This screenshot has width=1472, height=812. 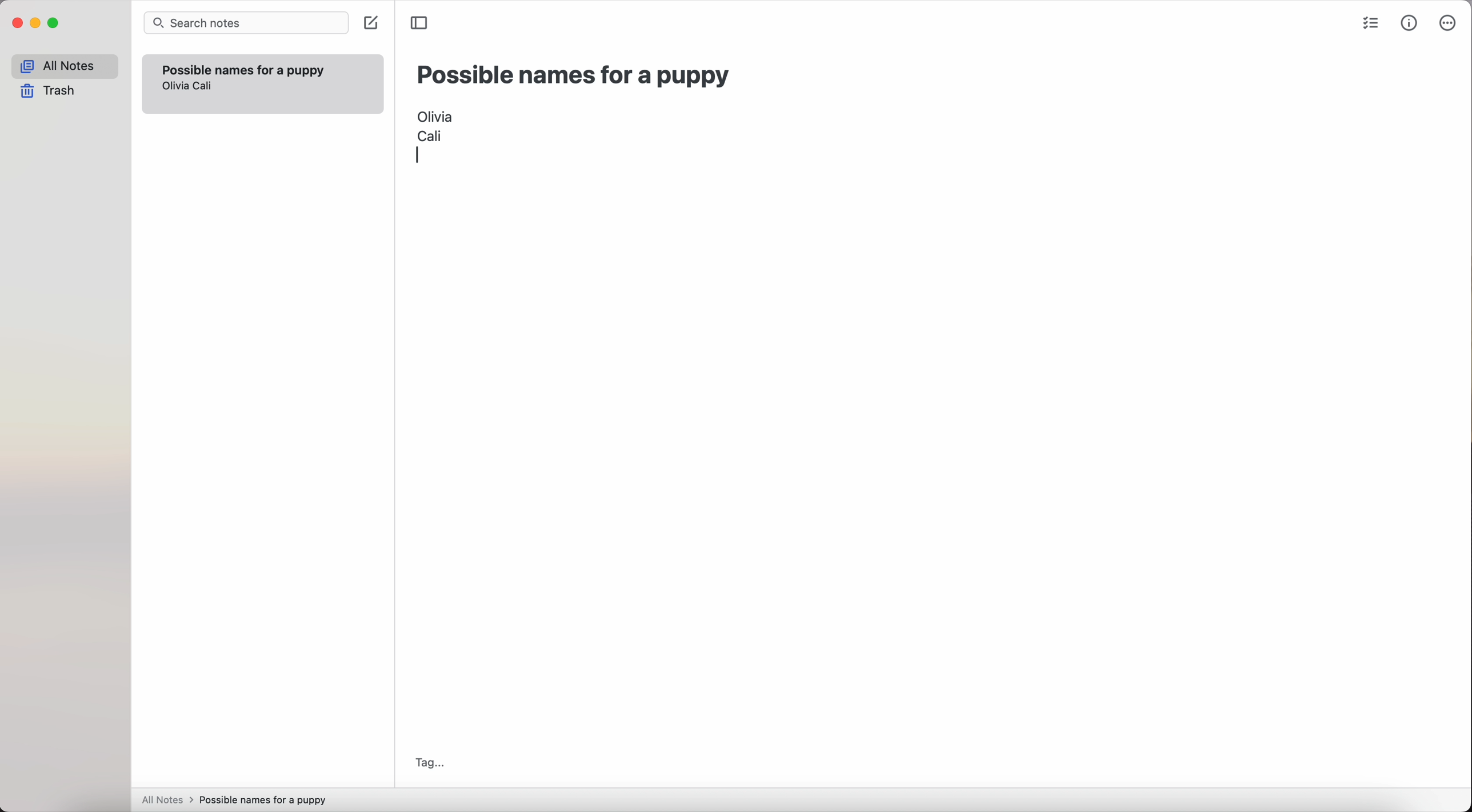 I want to click on all notes > possible names for a puppy, so click(x=238, y=799).